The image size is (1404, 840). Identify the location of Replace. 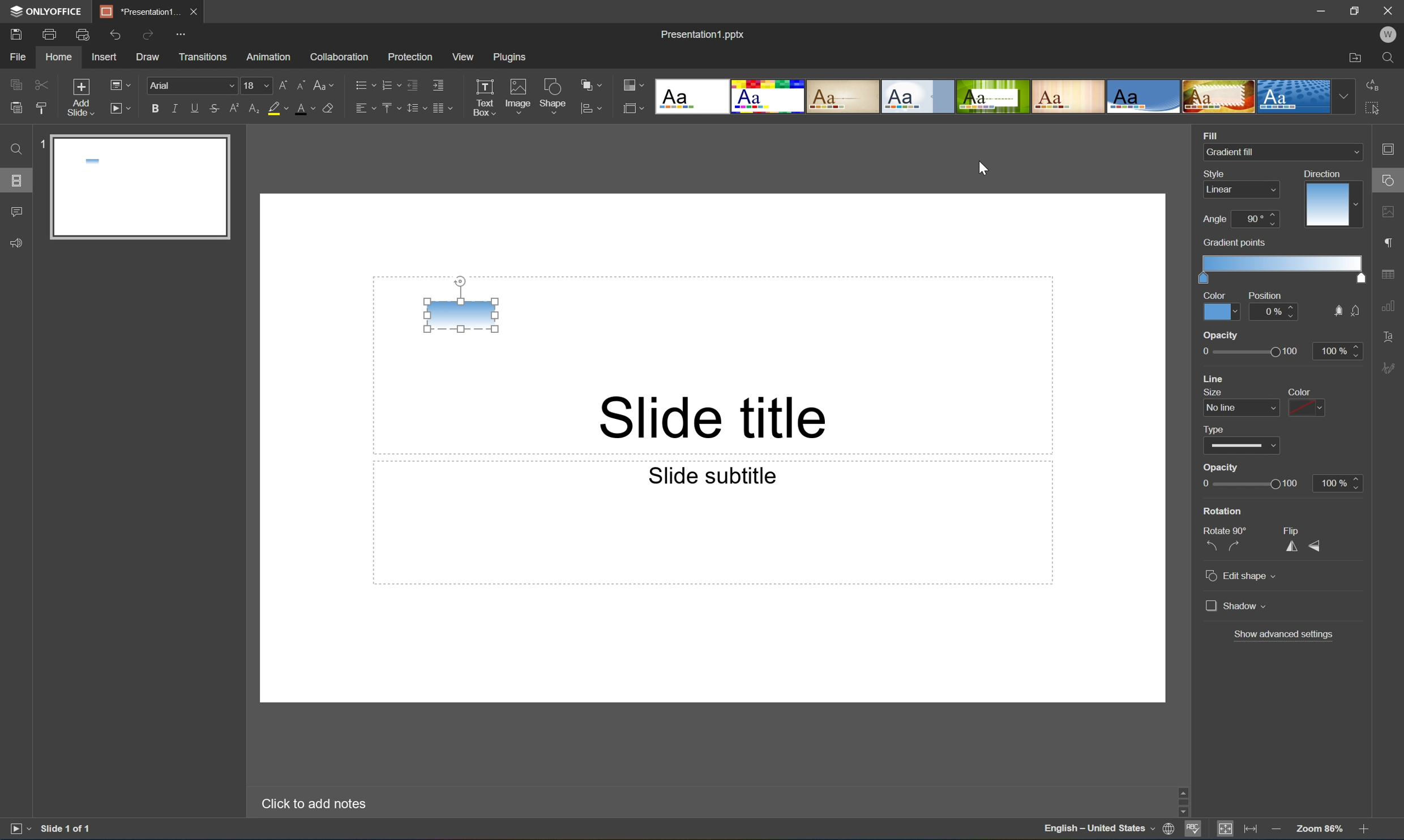
(1372, 83).